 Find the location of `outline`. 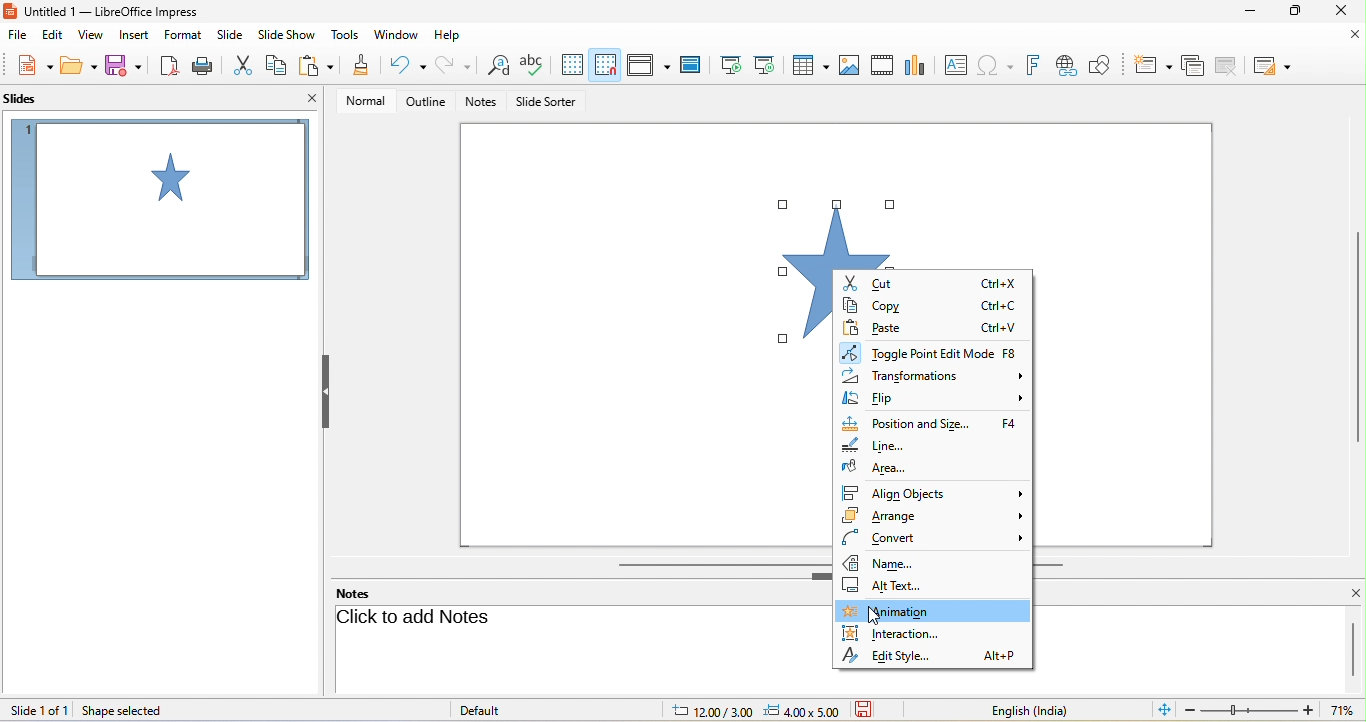

outline is located at coordinates (429, 105).